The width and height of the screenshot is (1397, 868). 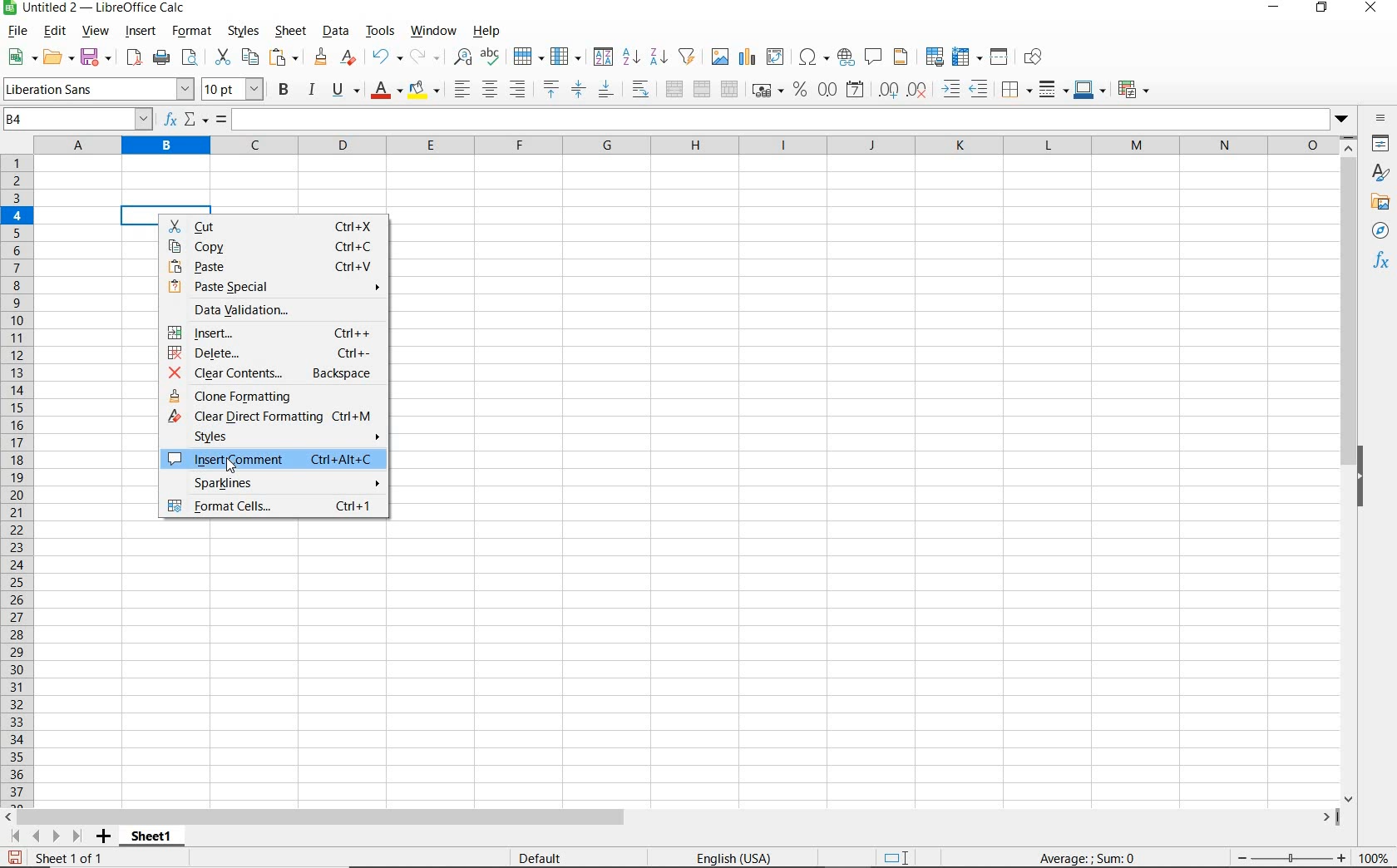 What do you see at coordinates (274, 267) in the screenshot?
I see `paste` at bounding box center [274, 267].